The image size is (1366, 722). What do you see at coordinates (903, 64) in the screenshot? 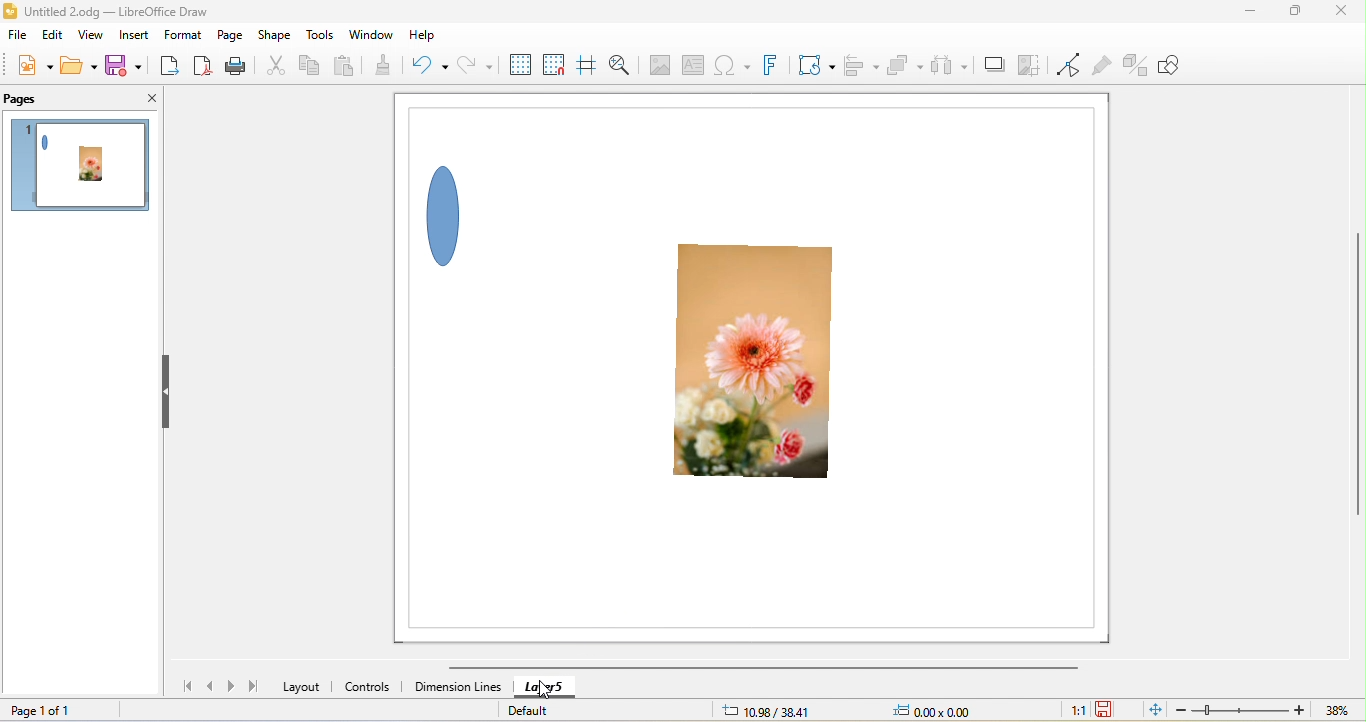
I see `arrange` at bounding box center [903, 64].